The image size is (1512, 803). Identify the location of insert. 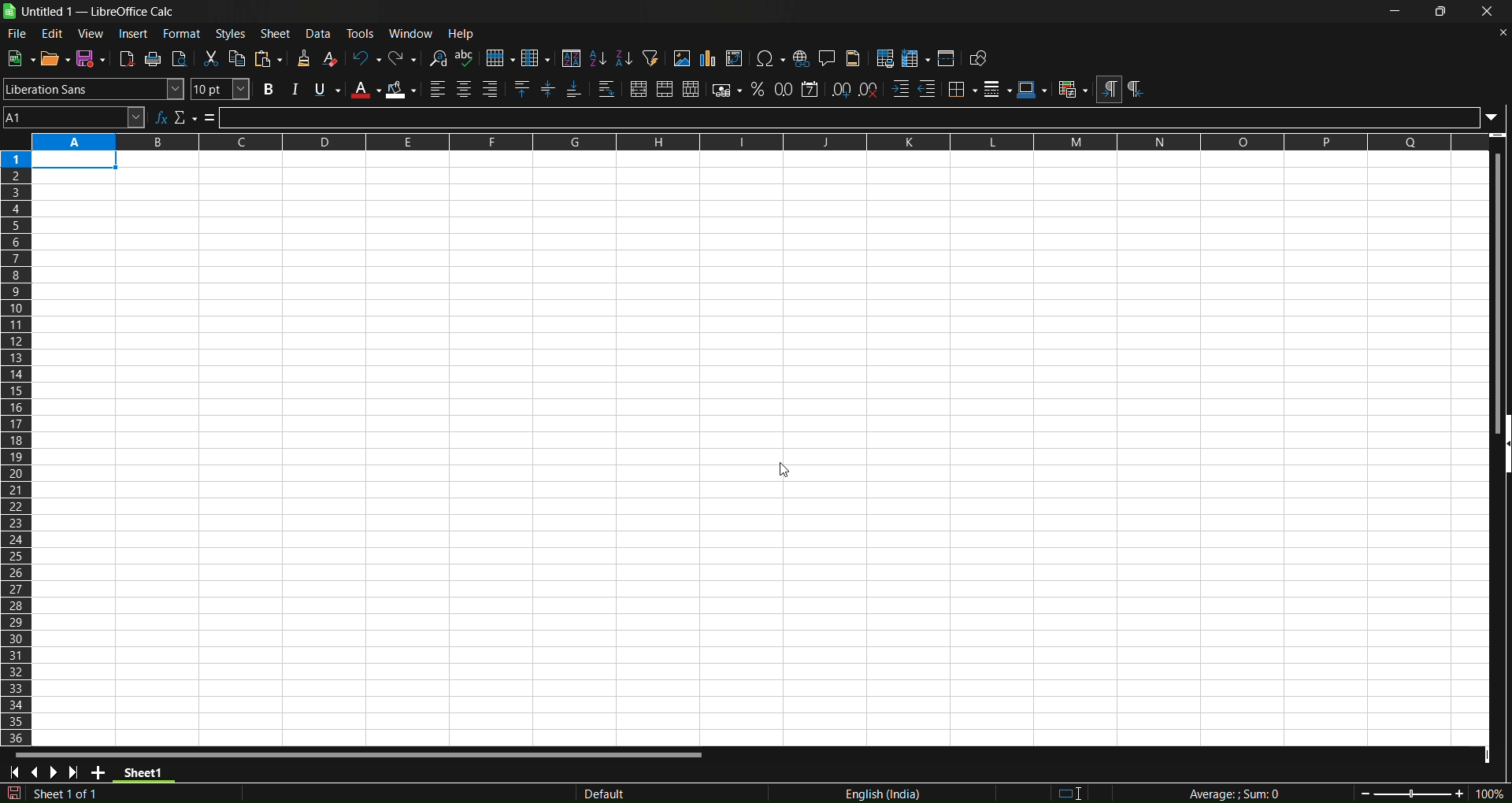
(135, 34).